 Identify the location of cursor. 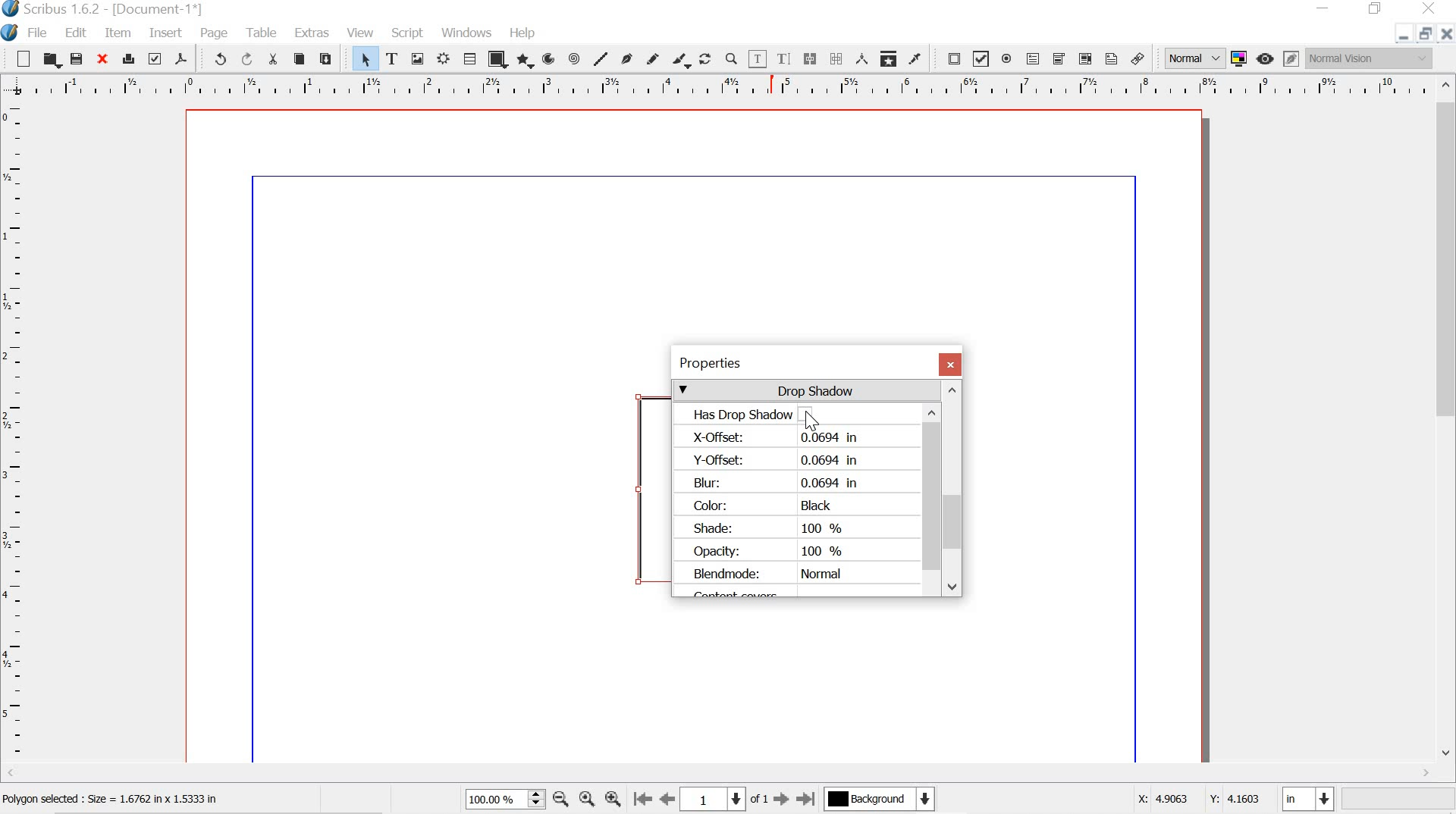
(812, 421).